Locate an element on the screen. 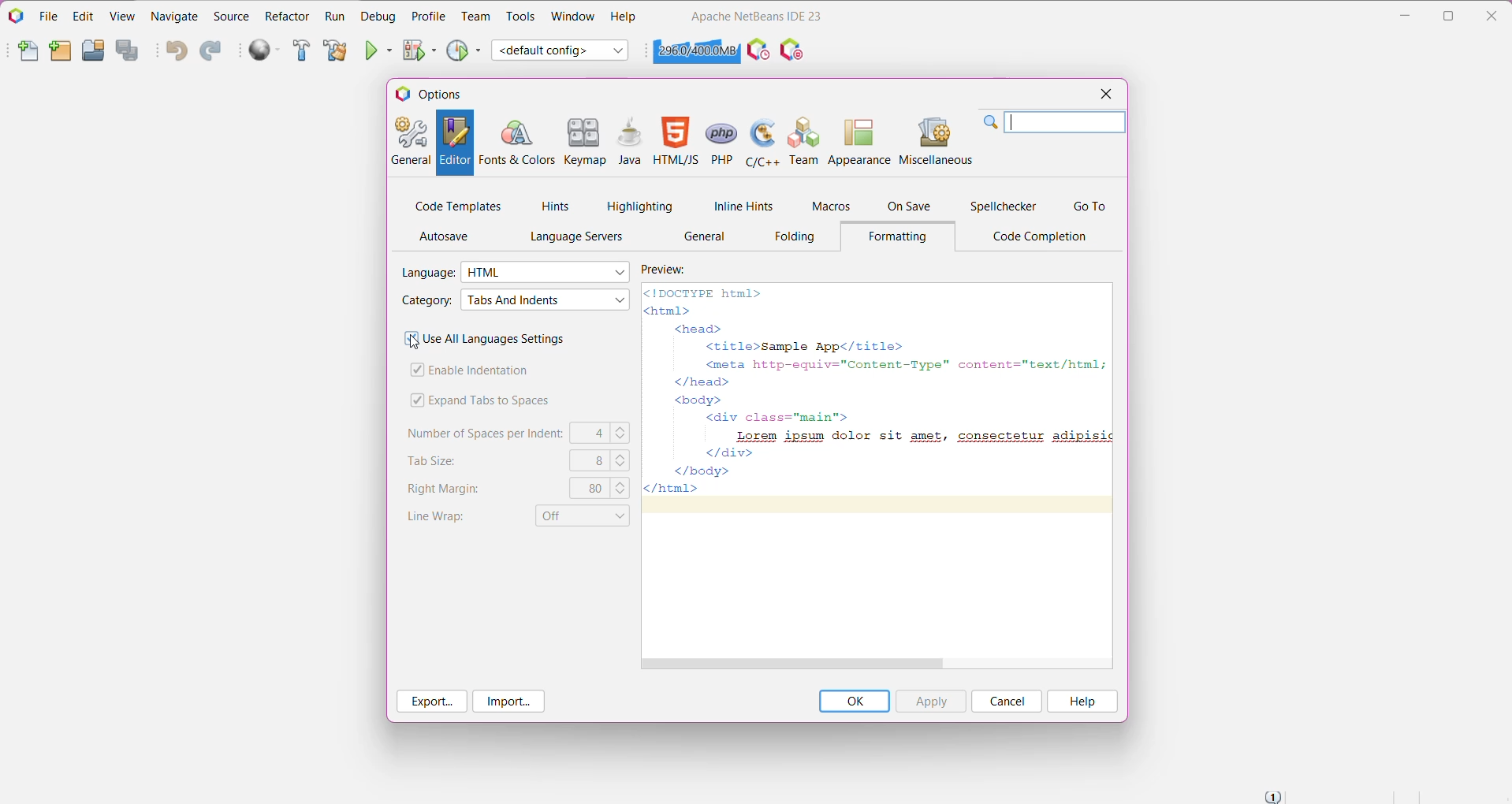 This screenshot has height=804, width=1512. Help is located at coordinates (624, 18).